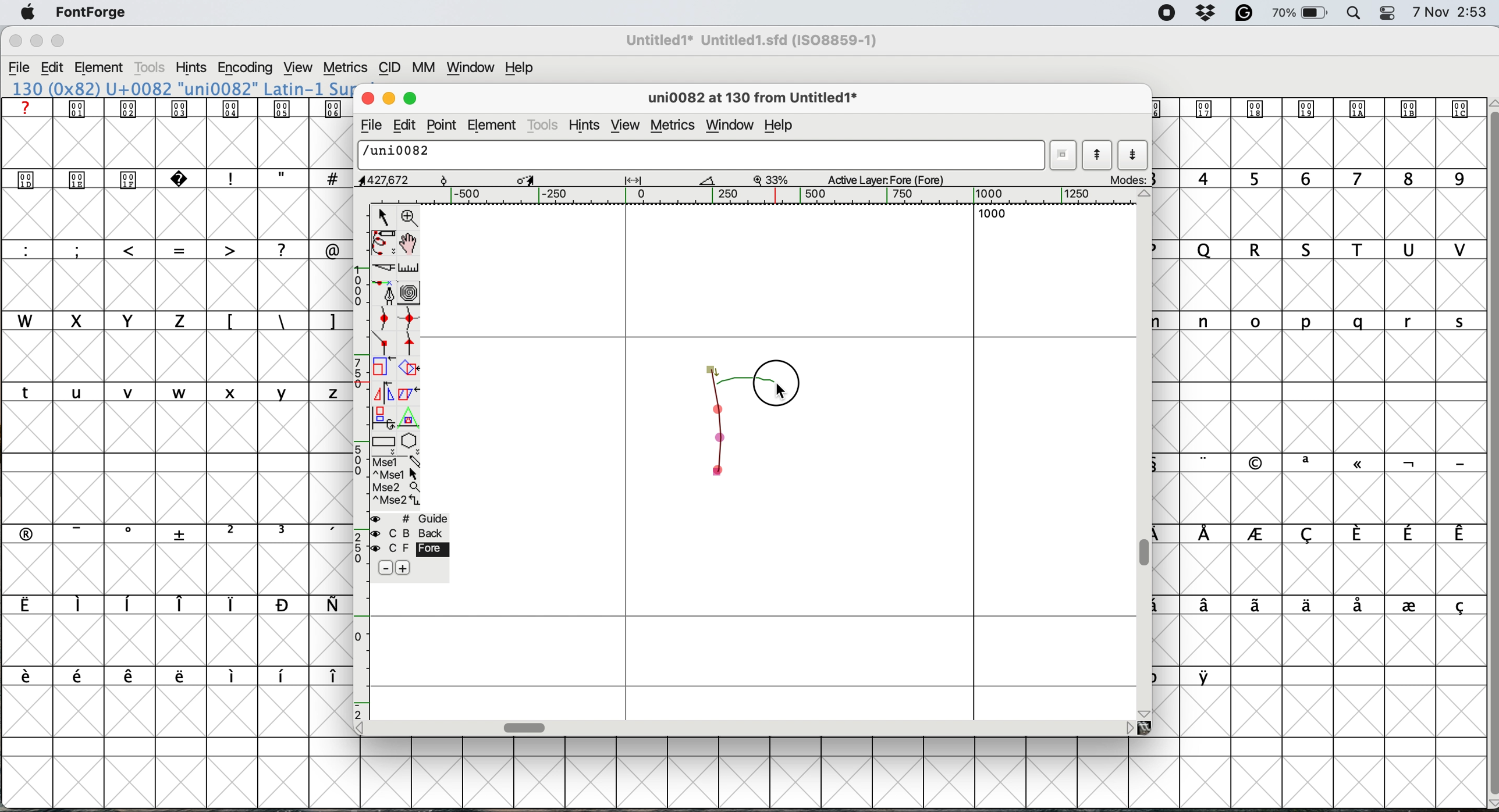  Describe the element at coordinates (526, 725) in the screenshot. I see `horizontal scale` at that location.